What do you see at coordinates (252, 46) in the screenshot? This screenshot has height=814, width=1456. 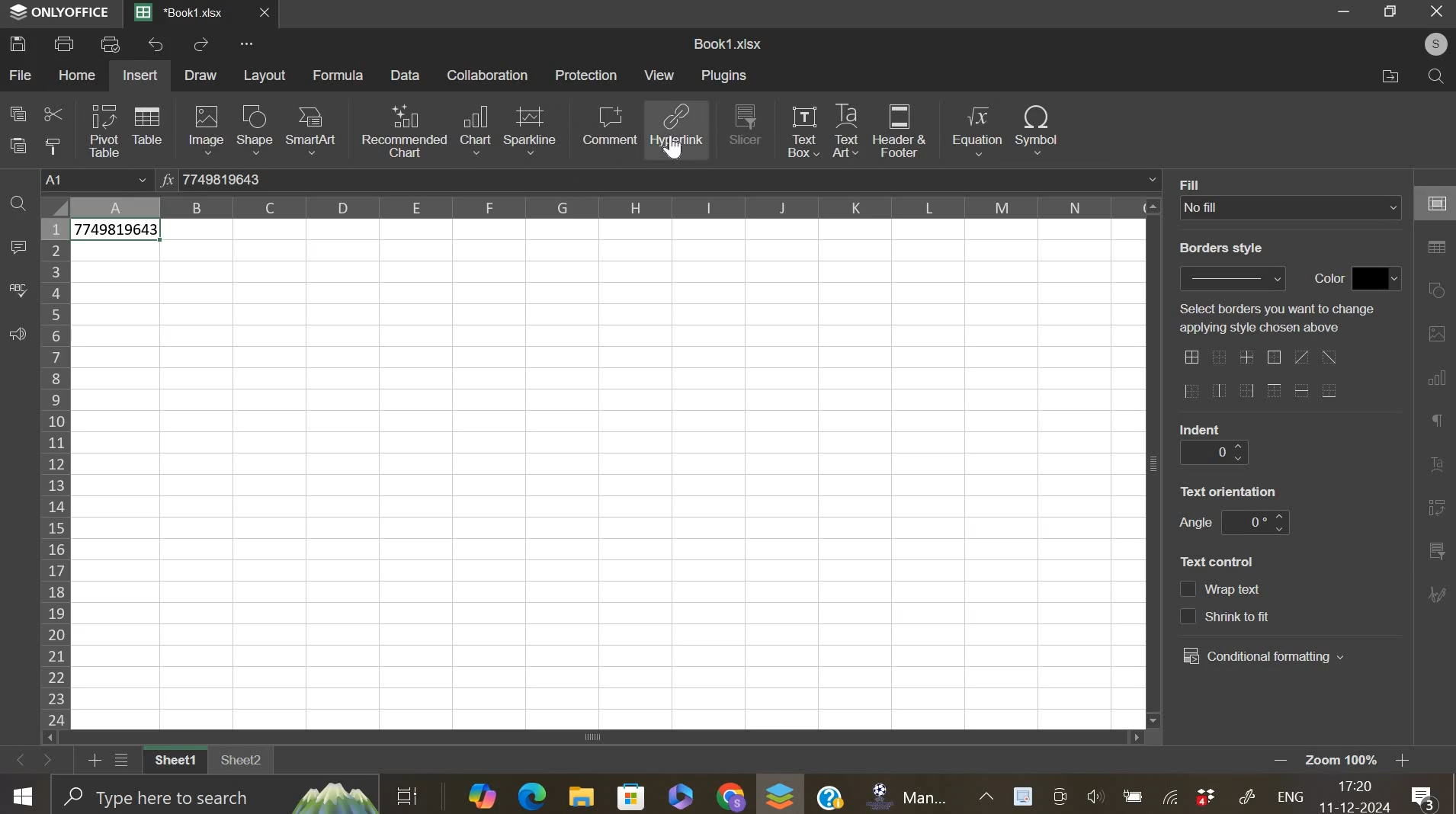 I see `view more` at bounding box center [252, 46].